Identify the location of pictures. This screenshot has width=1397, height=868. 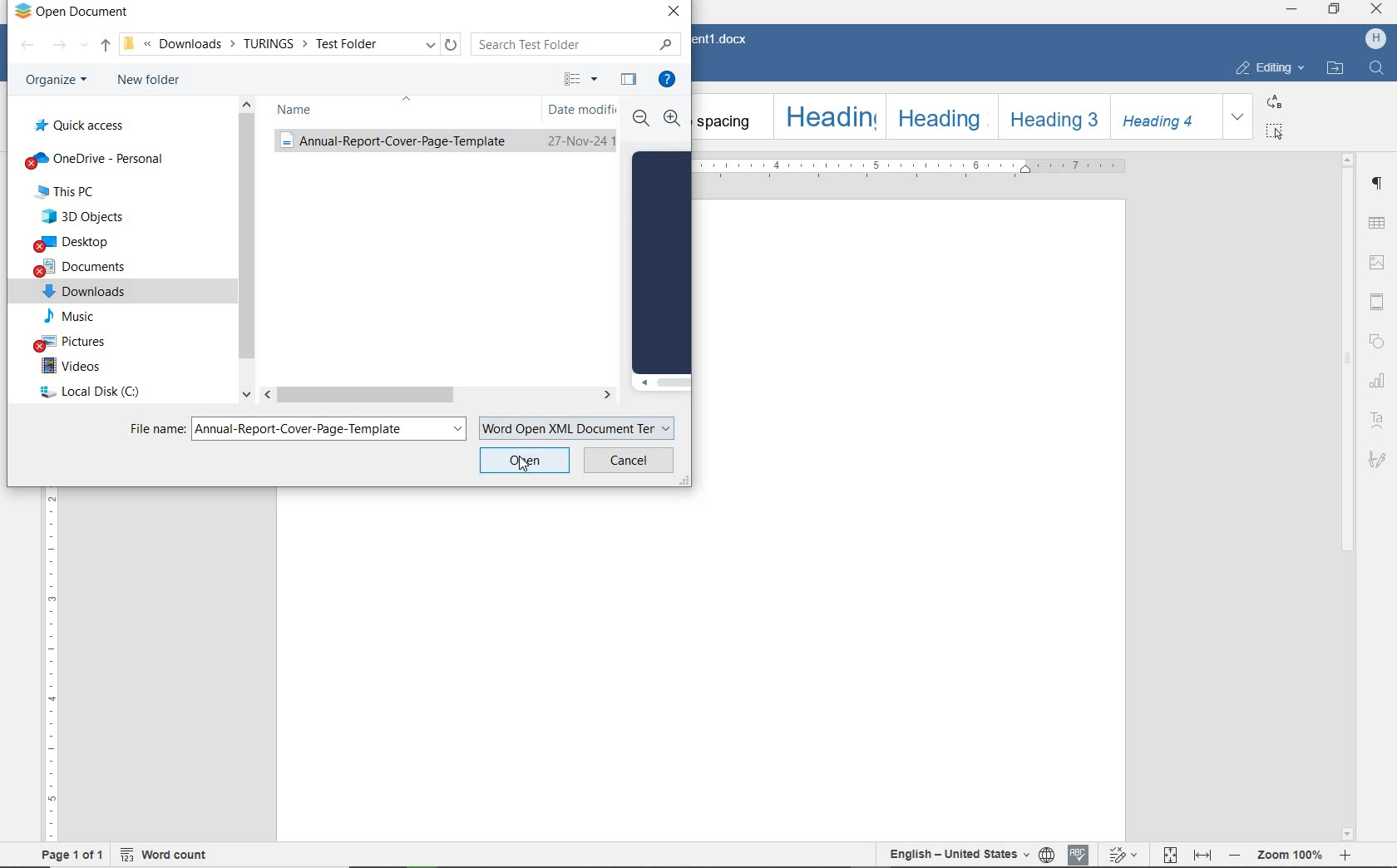
(78, 343).